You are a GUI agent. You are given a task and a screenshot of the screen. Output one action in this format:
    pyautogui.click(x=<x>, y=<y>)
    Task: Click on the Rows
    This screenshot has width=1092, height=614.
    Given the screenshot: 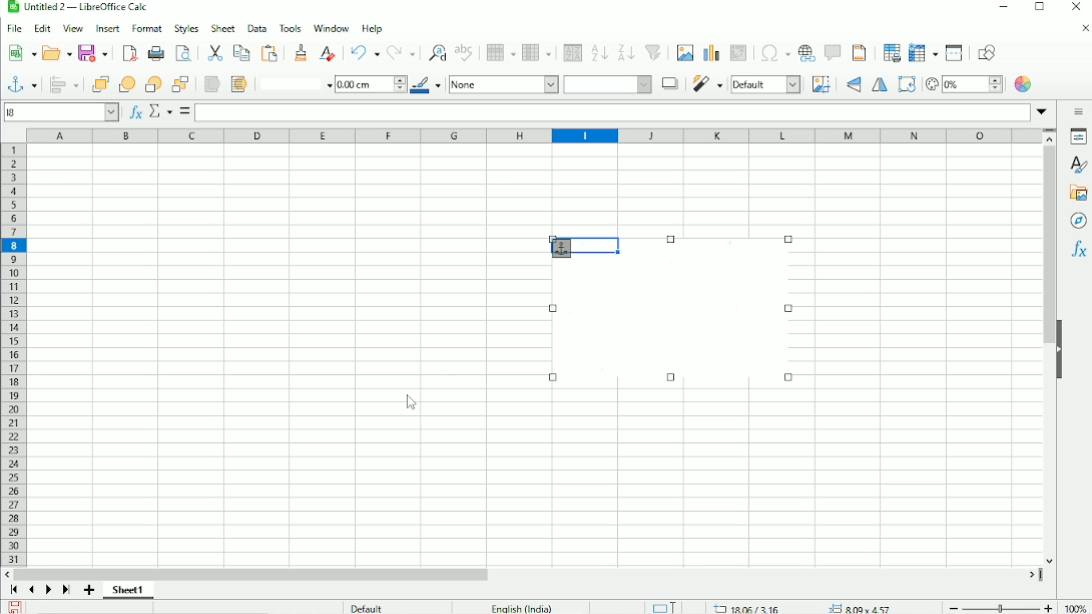 What is the action you would take?
    pyautogui.click(x=501, y=54)
    